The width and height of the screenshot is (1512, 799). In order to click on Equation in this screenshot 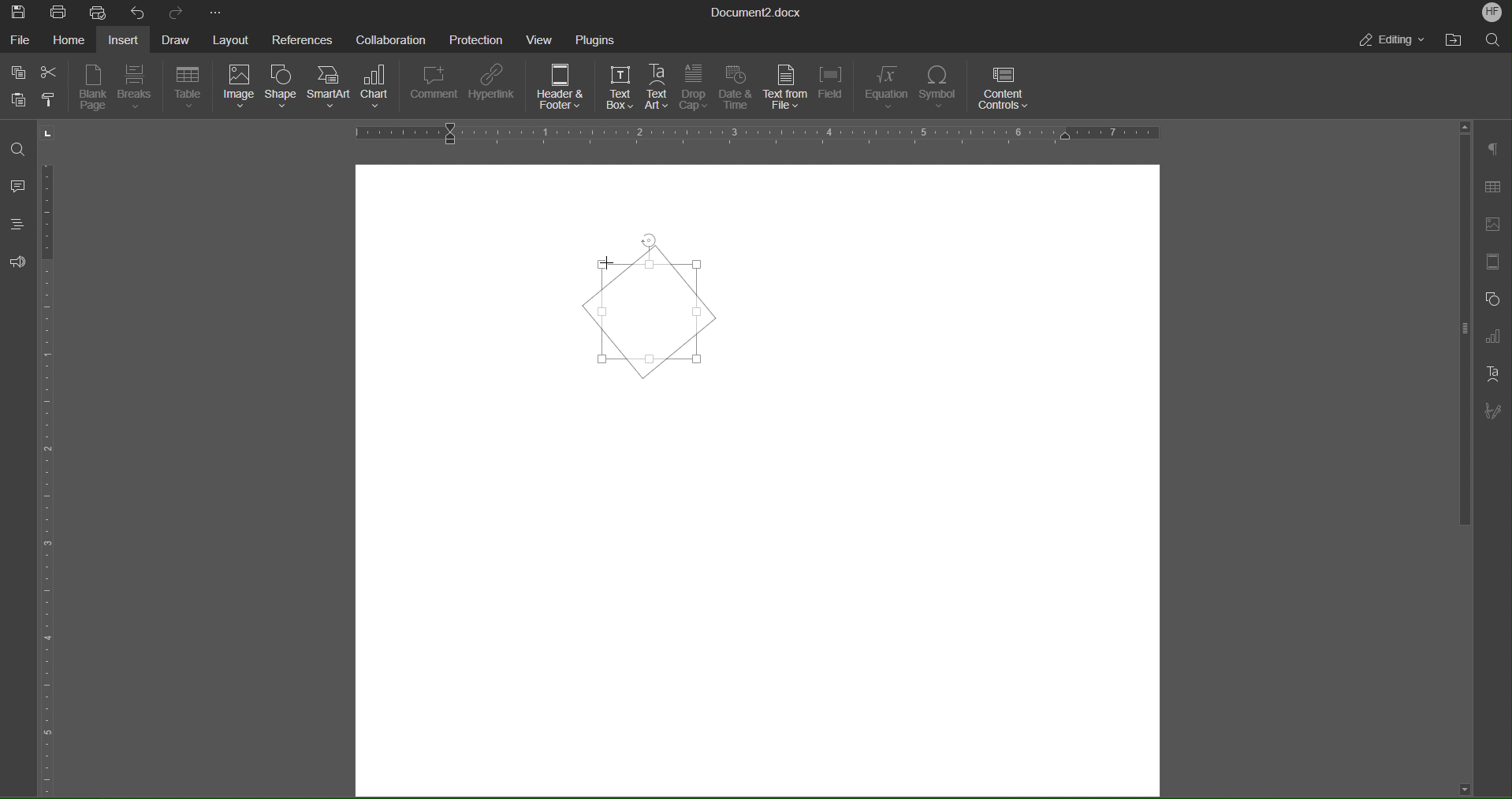, I will do `click(886, 87)`.